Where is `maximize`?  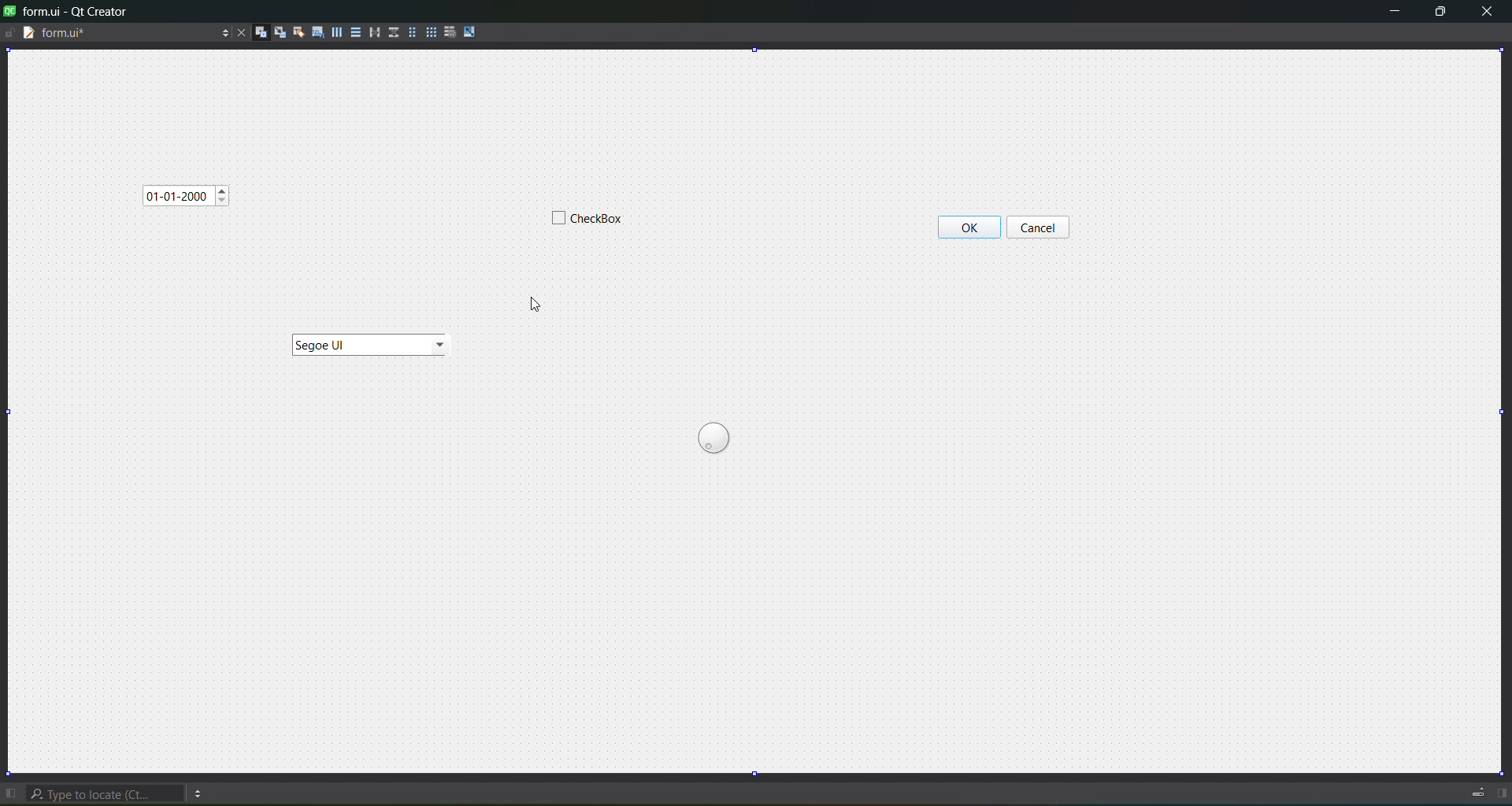 maximize is located at coordinates (1438, 12).